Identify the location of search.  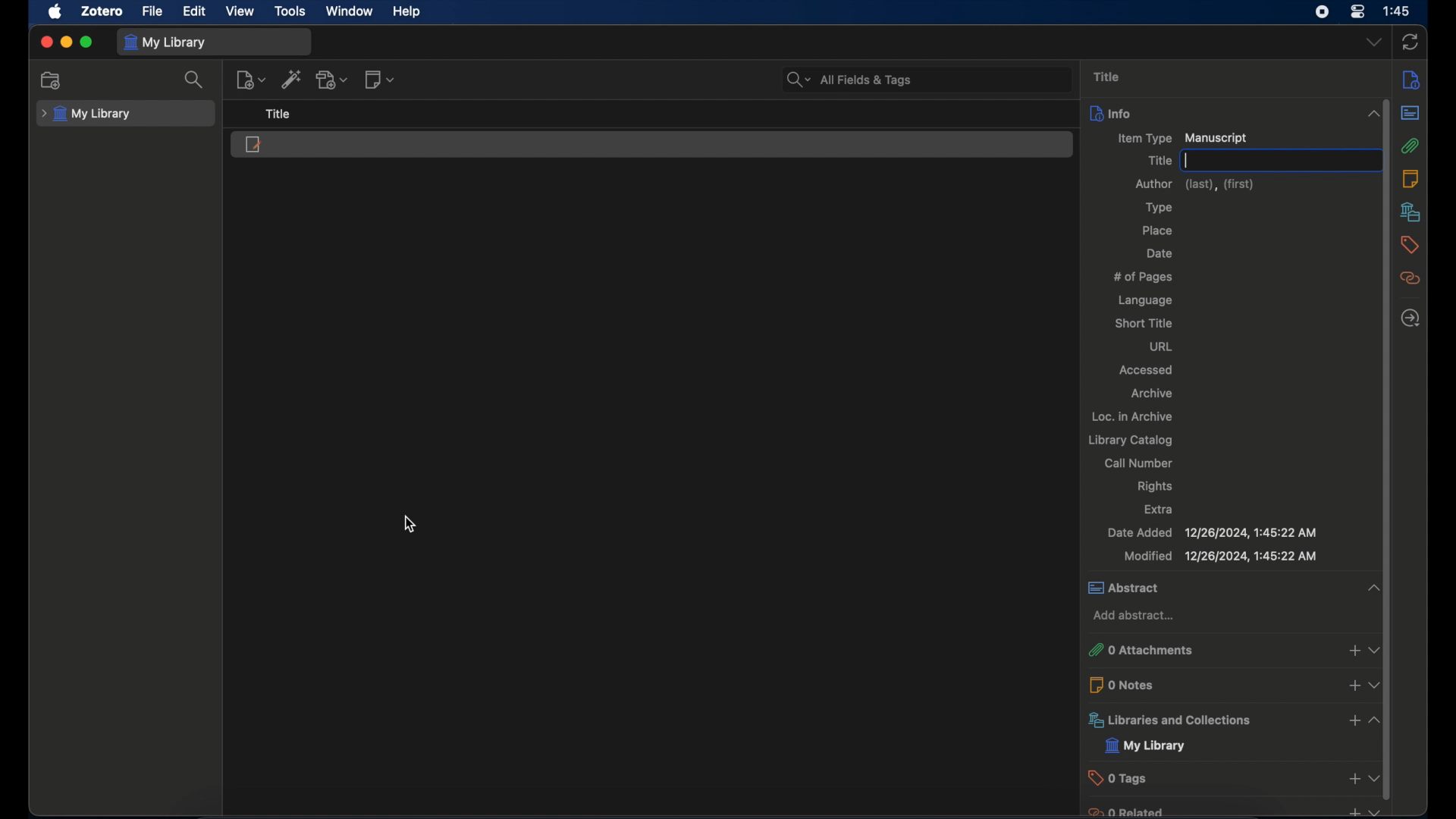
(195, 79).